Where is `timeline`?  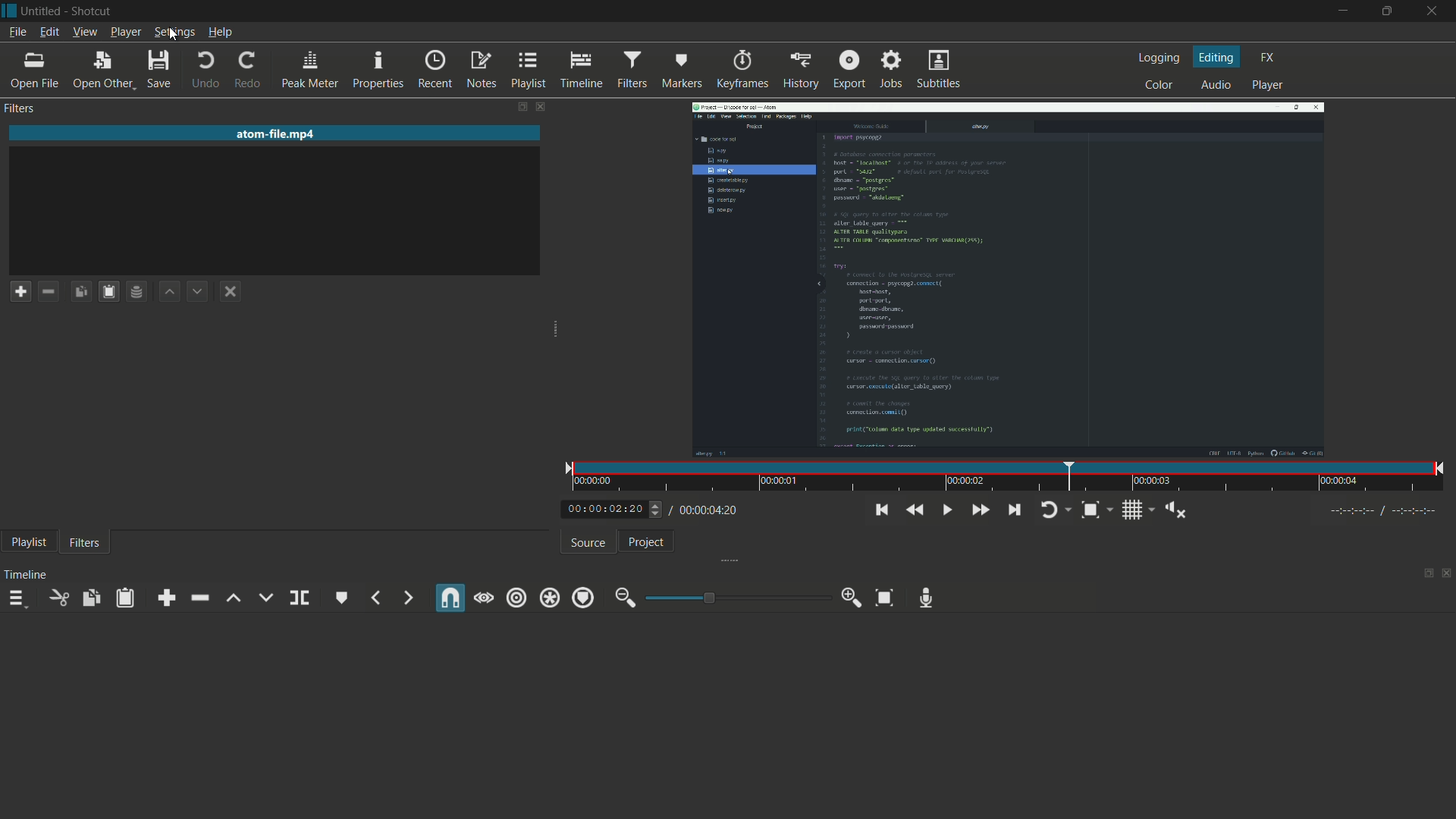
timeline is located at coordinates (582, 71).